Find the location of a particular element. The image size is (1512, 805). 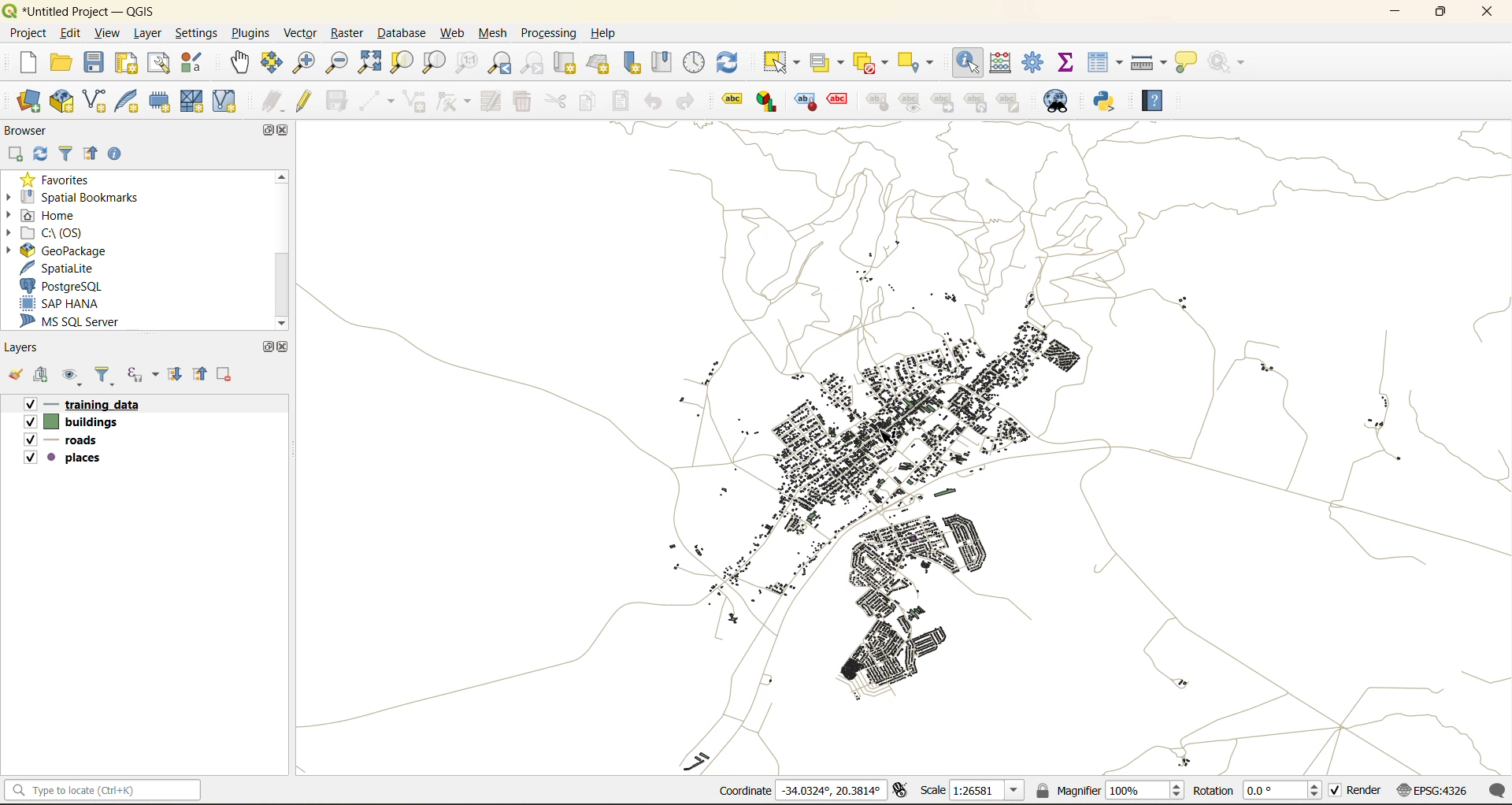

cut is located at coordinates (556, 100).